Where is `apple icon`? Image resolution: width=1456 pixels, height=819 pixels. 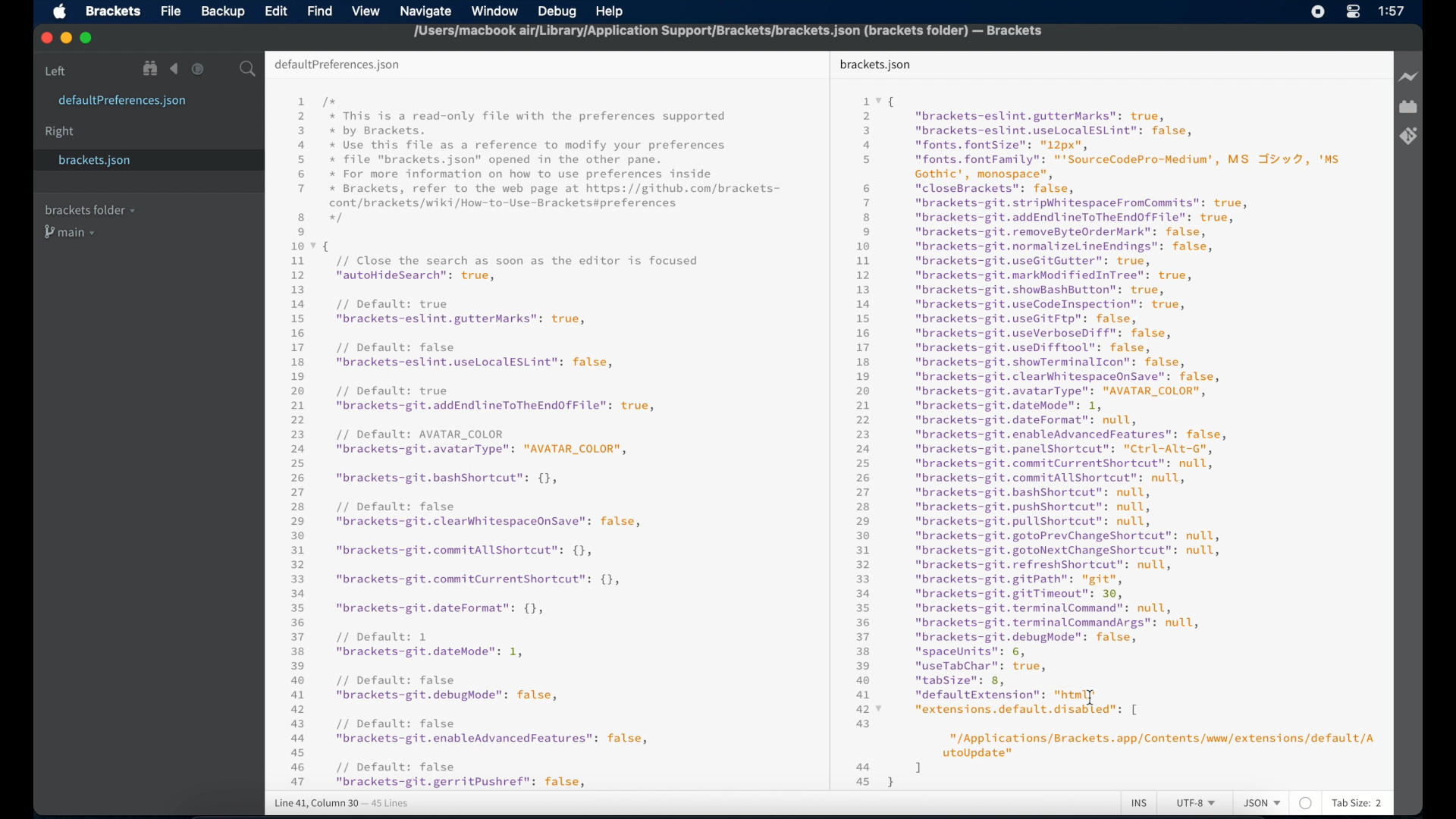 apple icon is located at coordinates (59, 12).